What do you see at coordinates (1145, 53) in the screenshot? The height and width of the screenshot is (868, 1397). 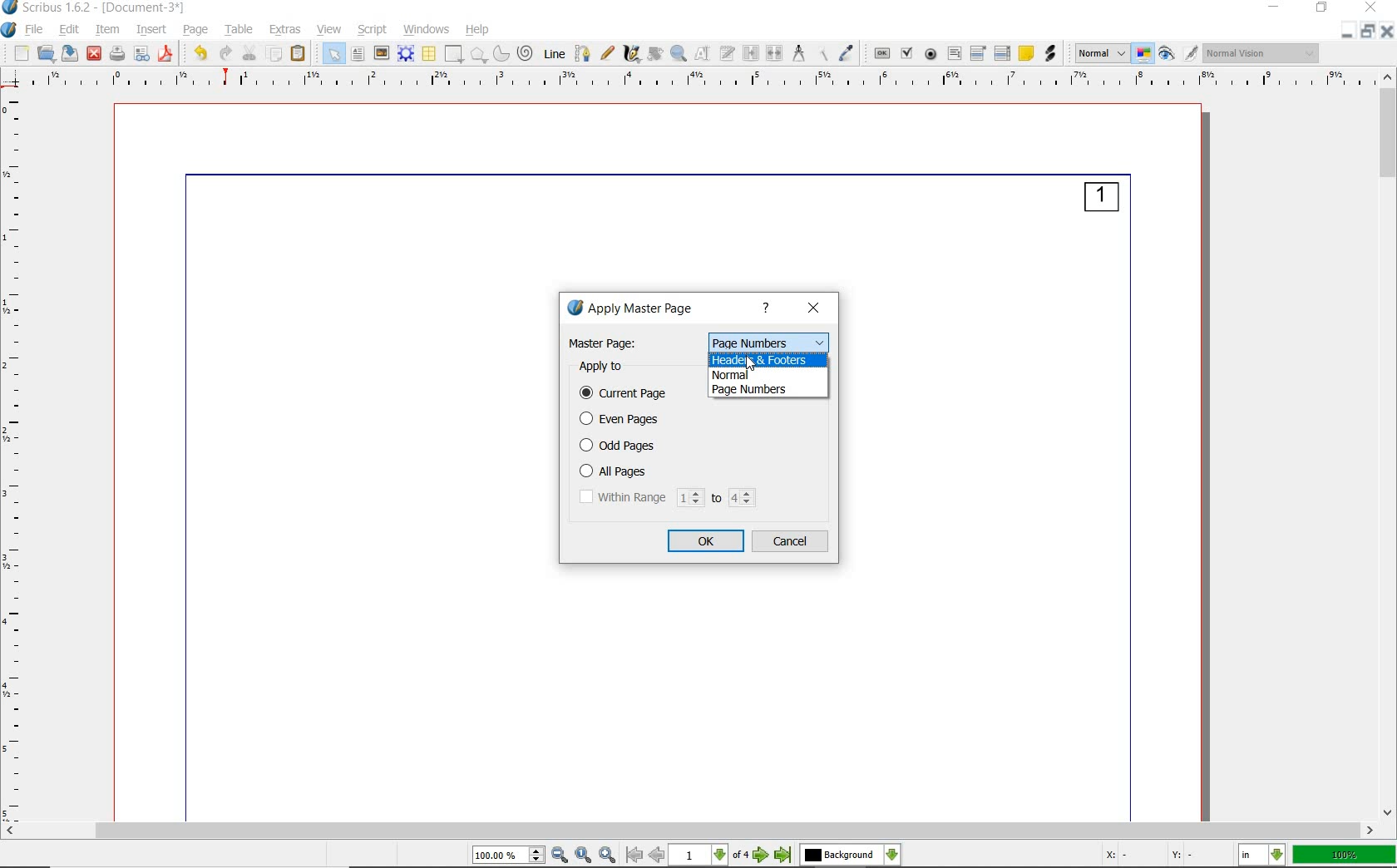 I see `toggle color management` at bounding box center [1145, 53].